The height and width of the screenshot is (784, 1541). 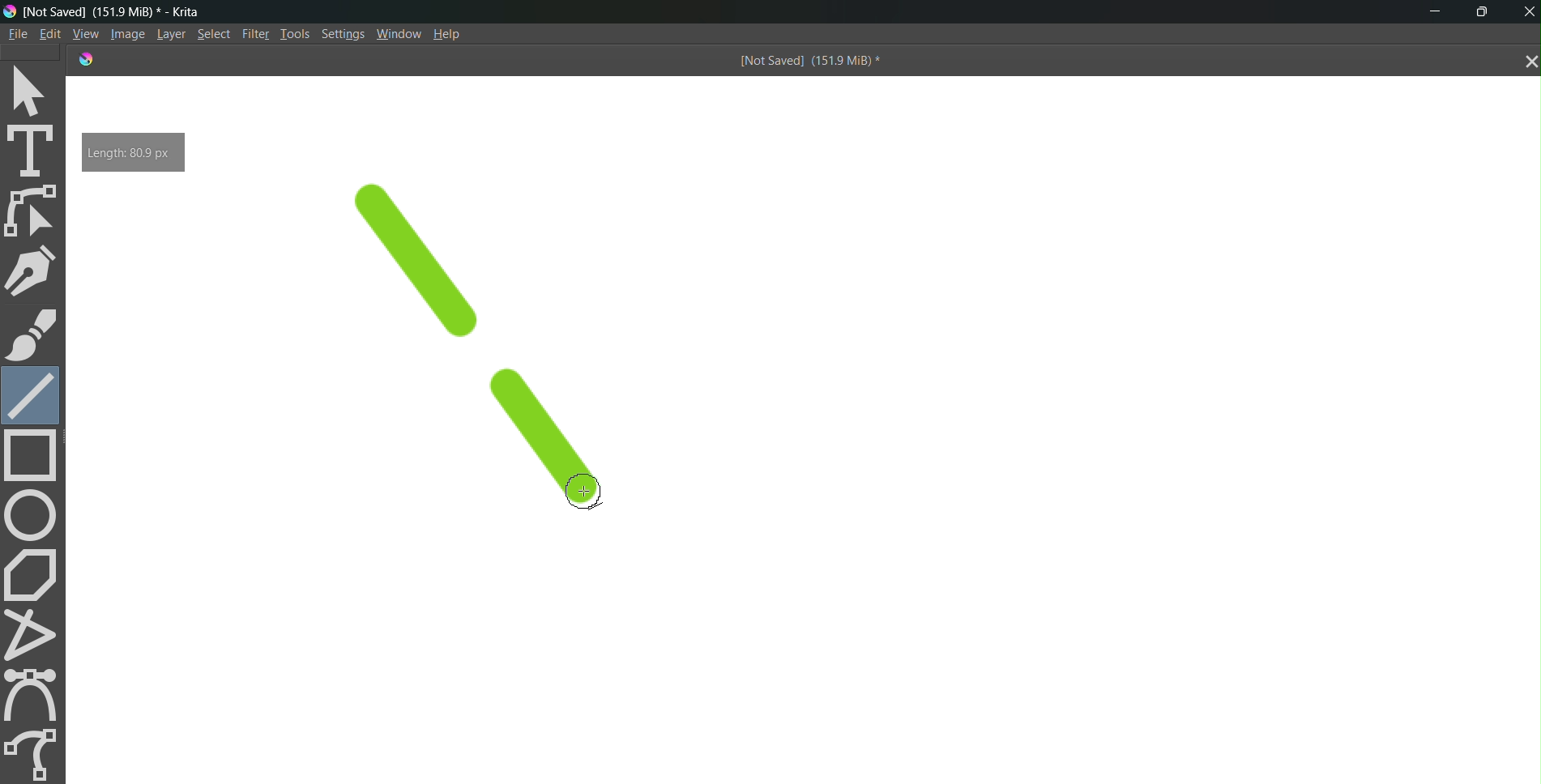 What do you see at coordinates (584, 489) in the screenshot?
I see `cursor` at bounding box center [584, 489].